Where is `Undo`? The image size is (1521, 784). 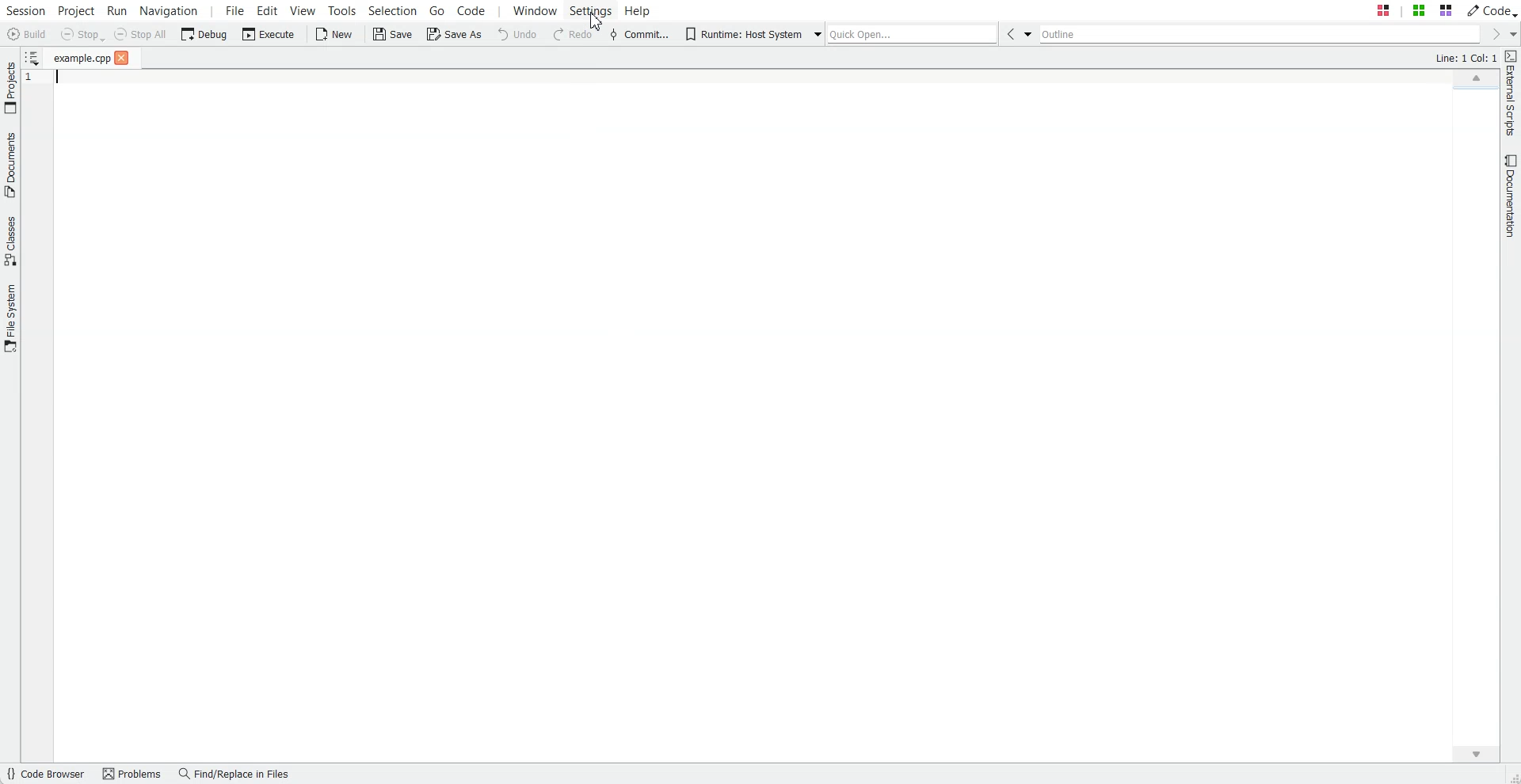
Undo is located at coordinates (517, 35).